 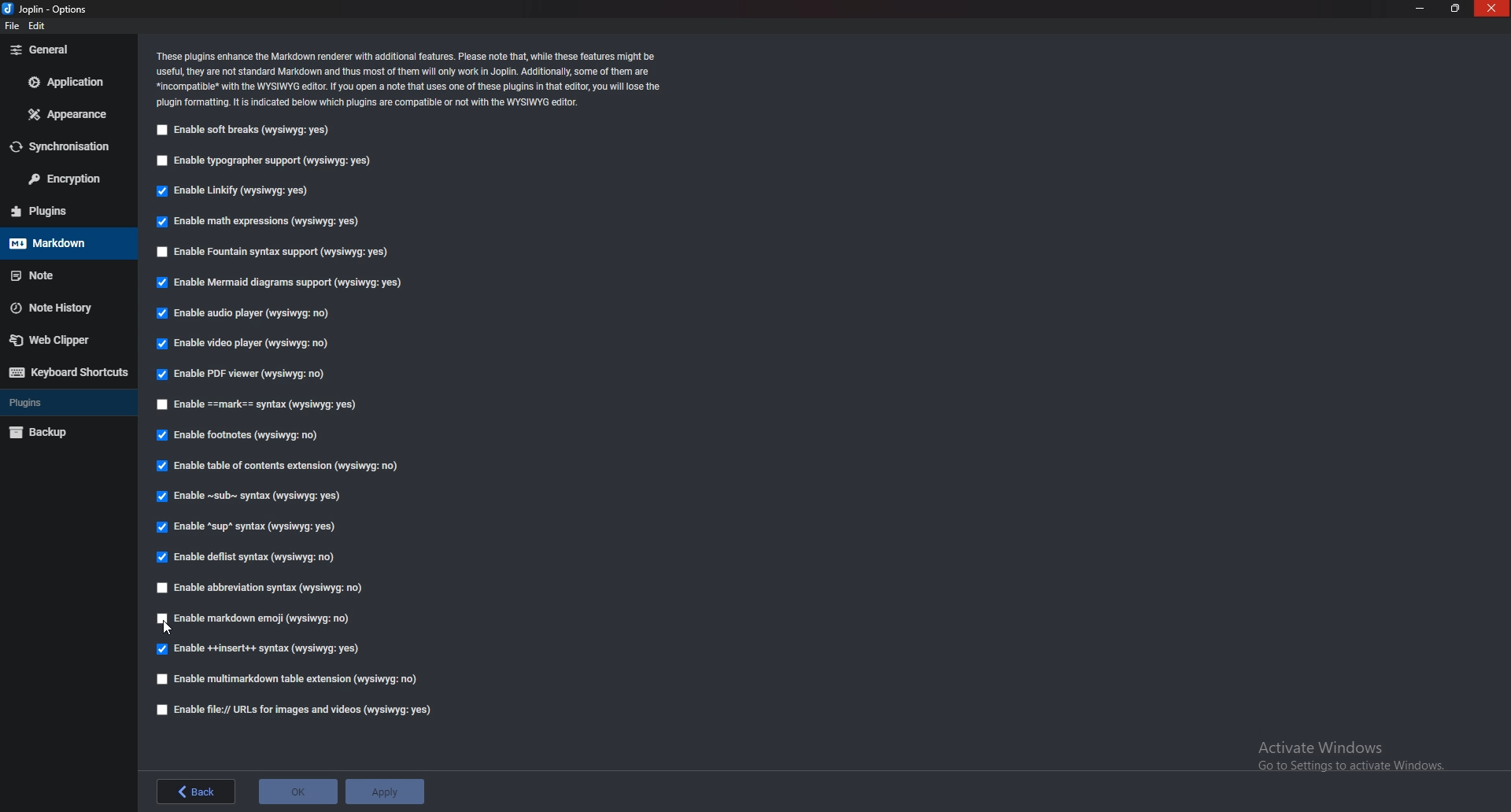 What do you see at coordinates (275, 251) in the screenshot?
I see `Enable fountain syntax support` at bounding box center [275, 251].